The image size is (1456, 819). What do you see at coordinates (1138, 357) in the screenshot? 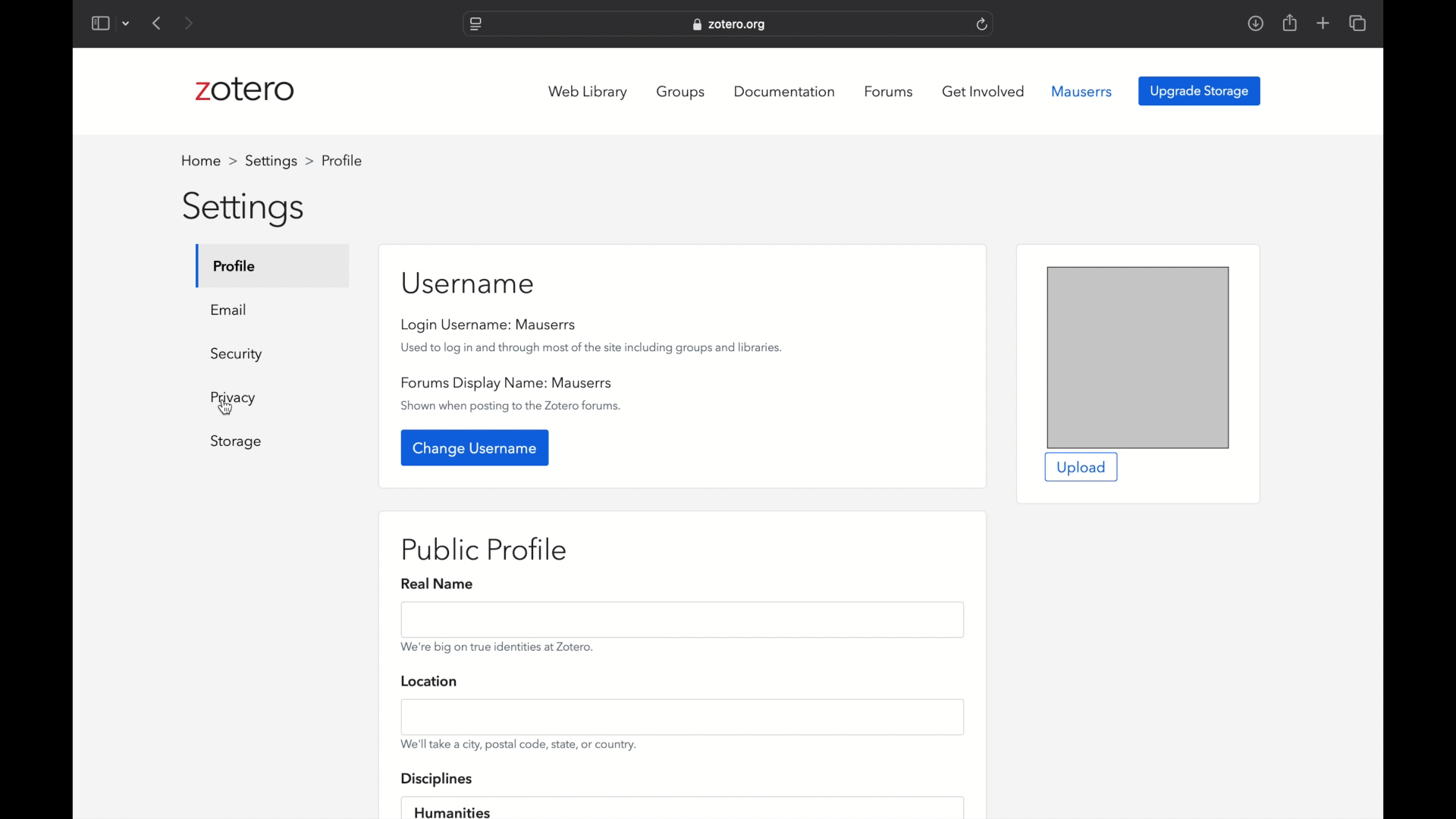
I see `preview` at bounding box center [1138, 357].